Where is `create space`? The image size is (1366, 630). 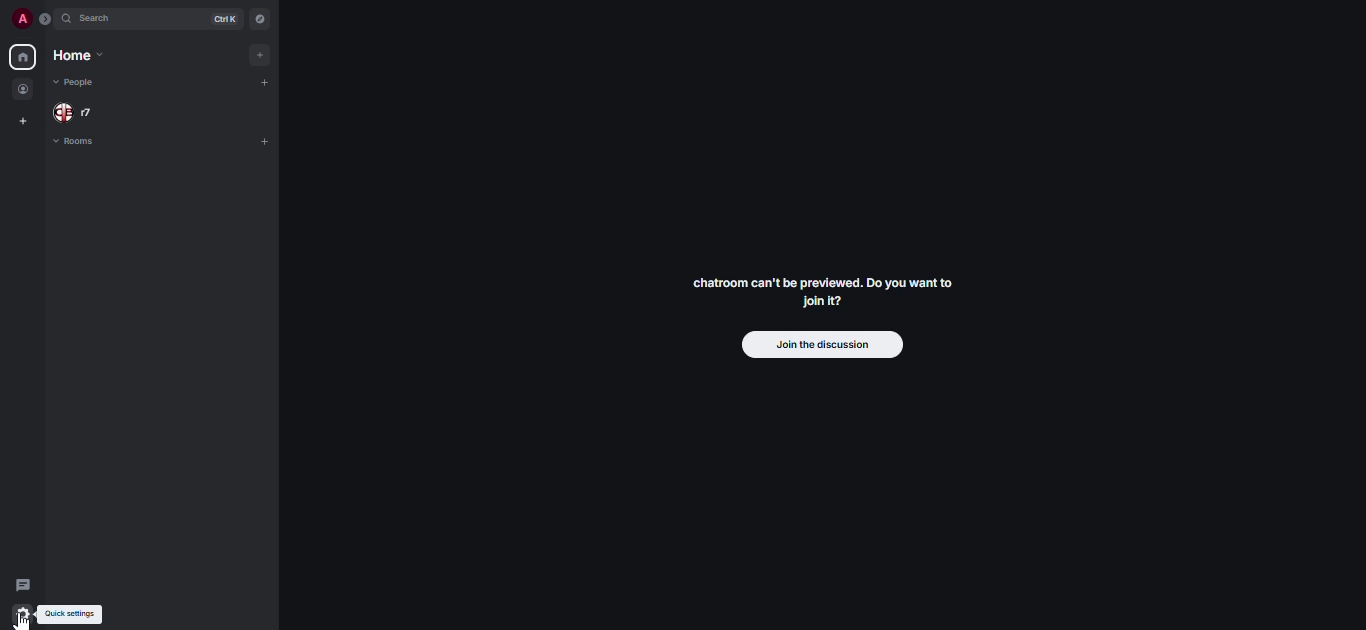
create space is located at coordinates (23, 122).